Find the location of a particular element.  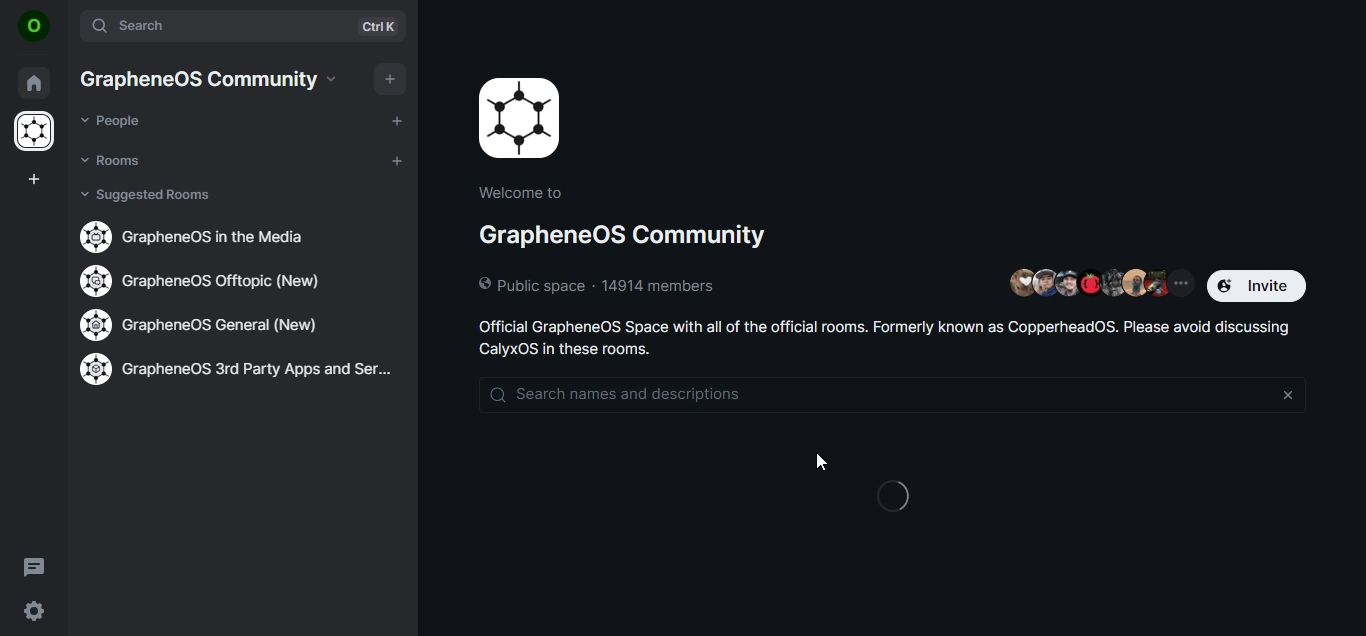

text is located at coordinates (204, 236).